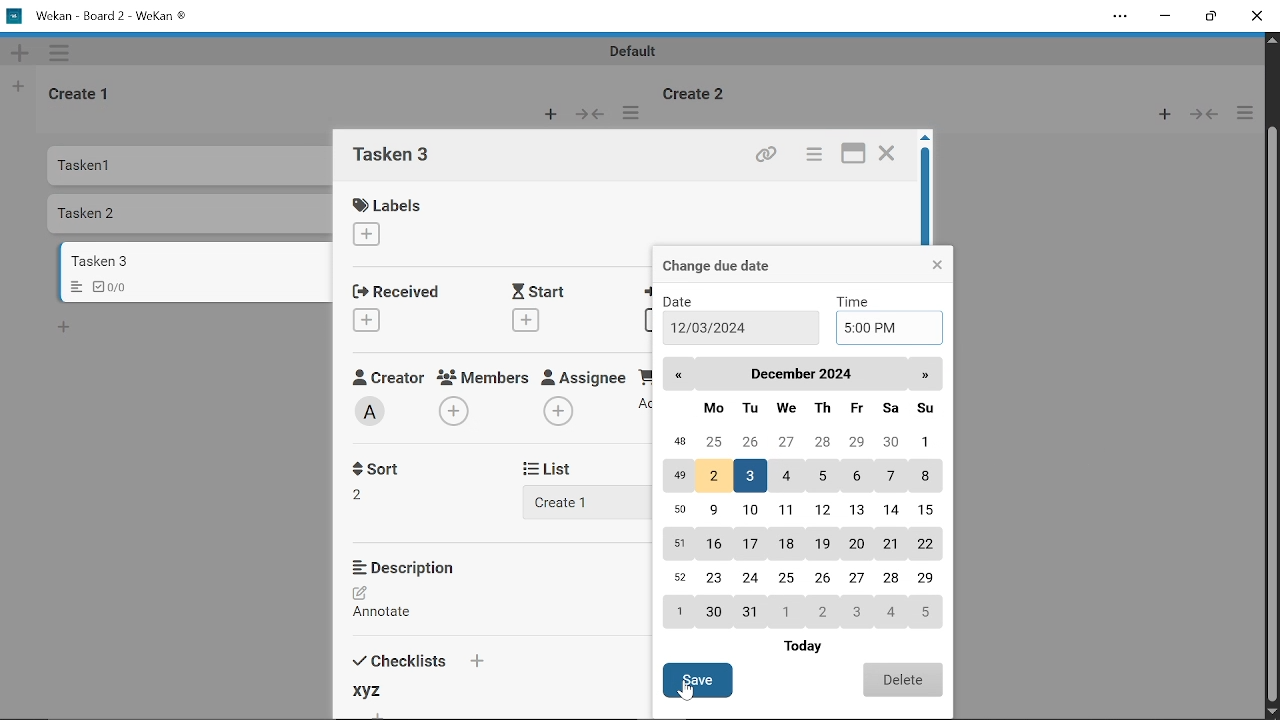  What do you see at coordinates (1120, 16) in the screenshot?
I see `Settings and more` at bounding box center [1120, 16].